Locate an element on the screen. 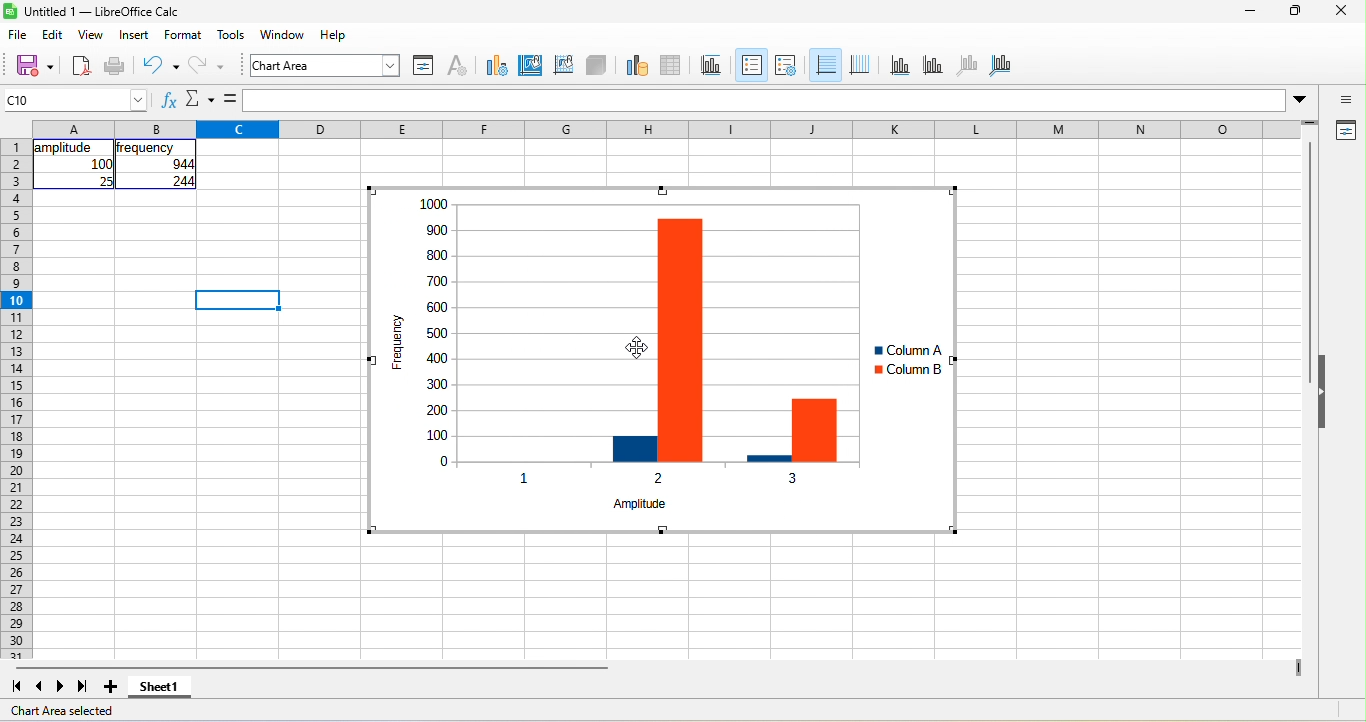  More options is located at coordinates (1299, 101).